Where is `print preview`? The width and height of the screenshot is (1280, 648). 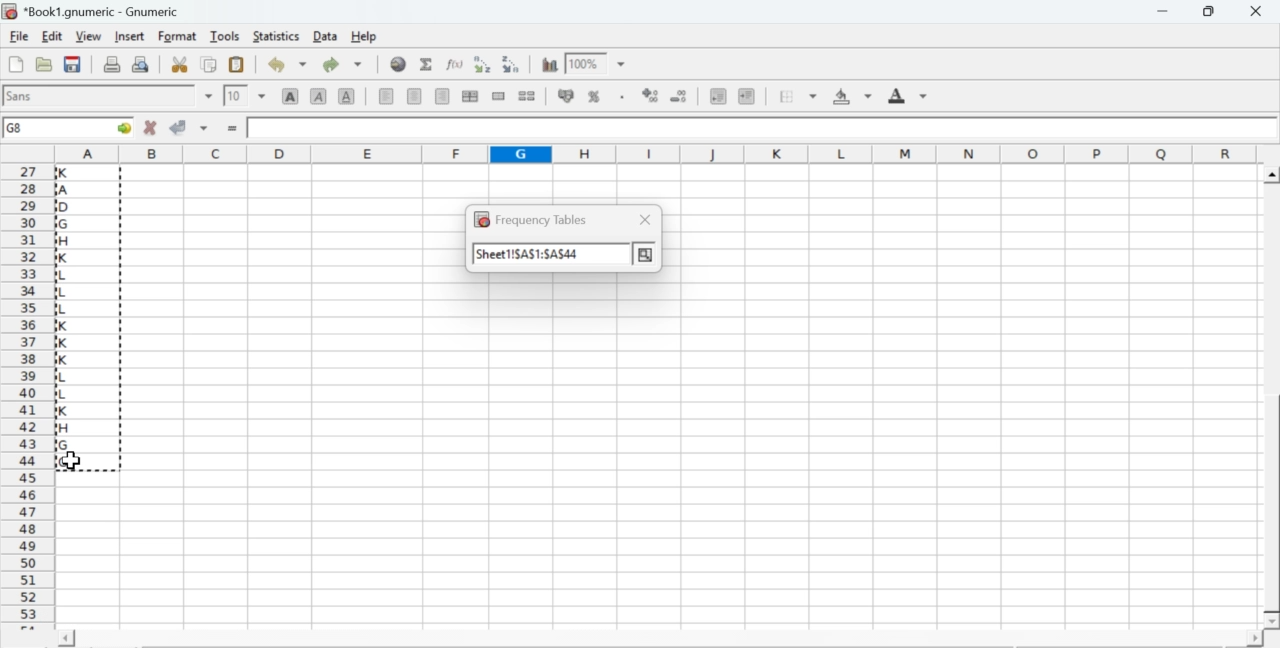 print preview is located at coordinates (141, 63).